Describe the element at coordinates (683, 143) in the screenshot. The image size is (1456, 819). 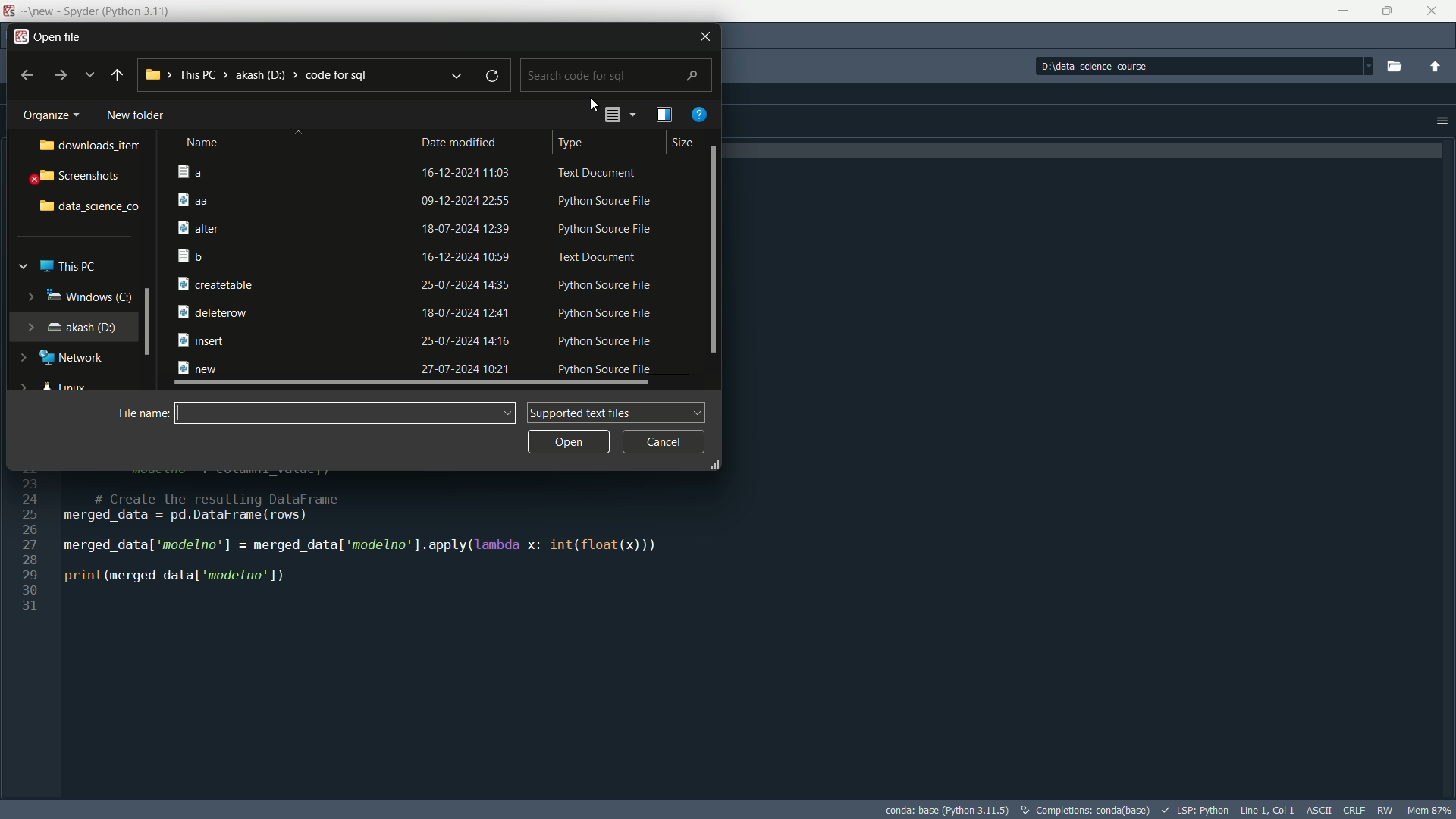
I see `size` at that location.